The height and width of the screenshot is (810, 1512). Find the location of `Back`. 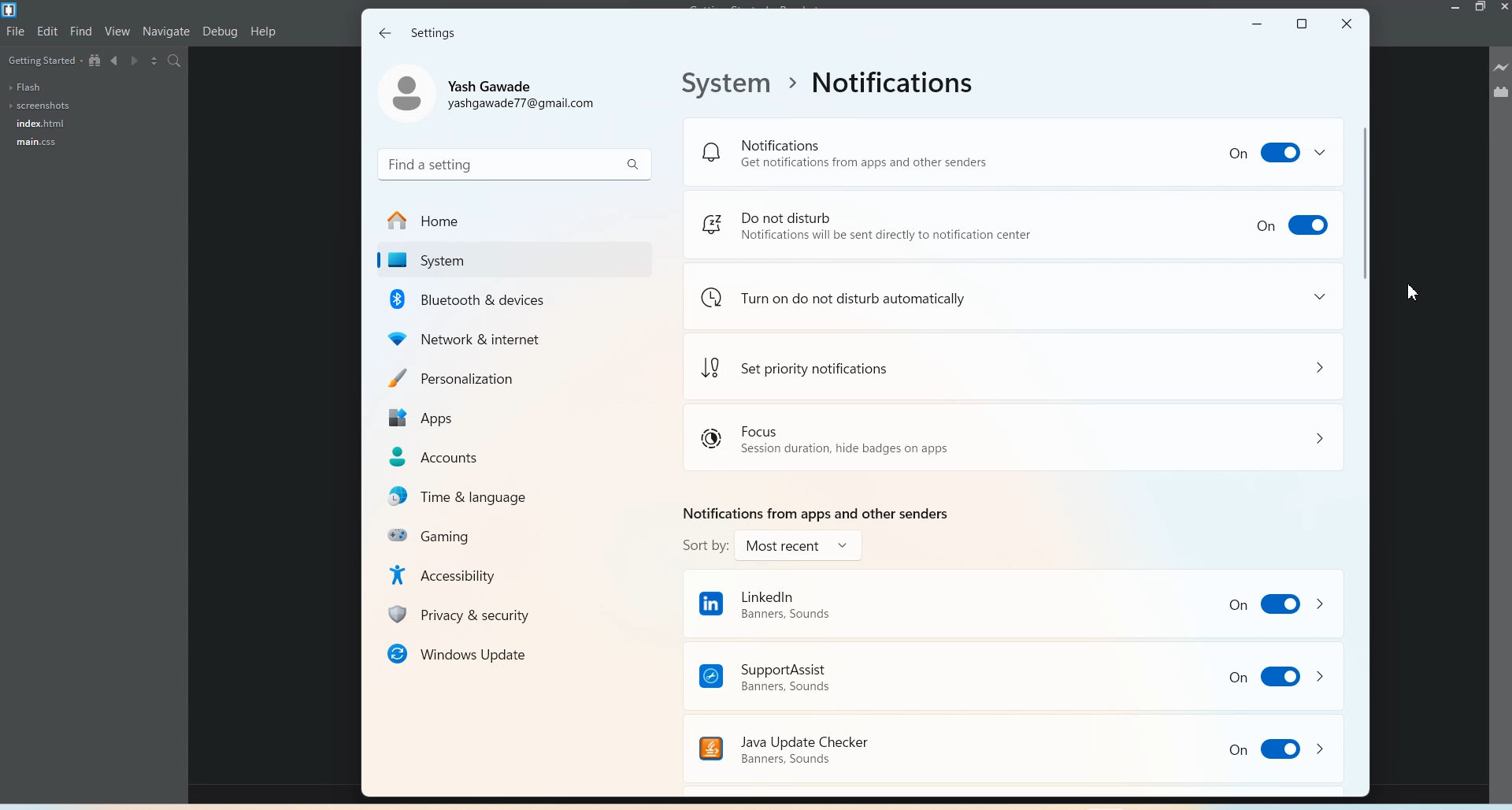

Back is located at coordinates (385, 32).